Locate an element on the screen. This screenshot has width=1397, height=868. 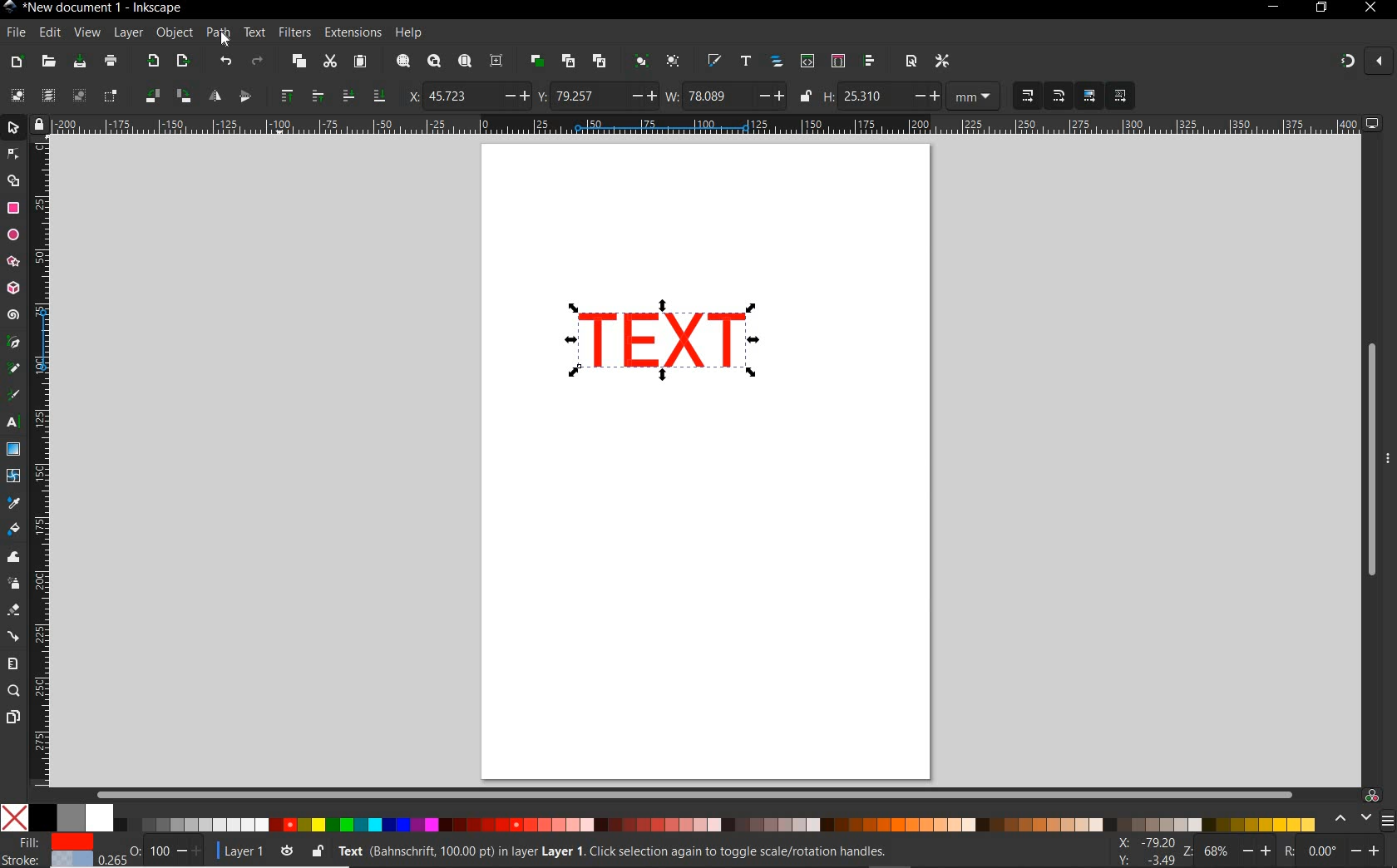
PASTE is located at coordinates (361, 62).